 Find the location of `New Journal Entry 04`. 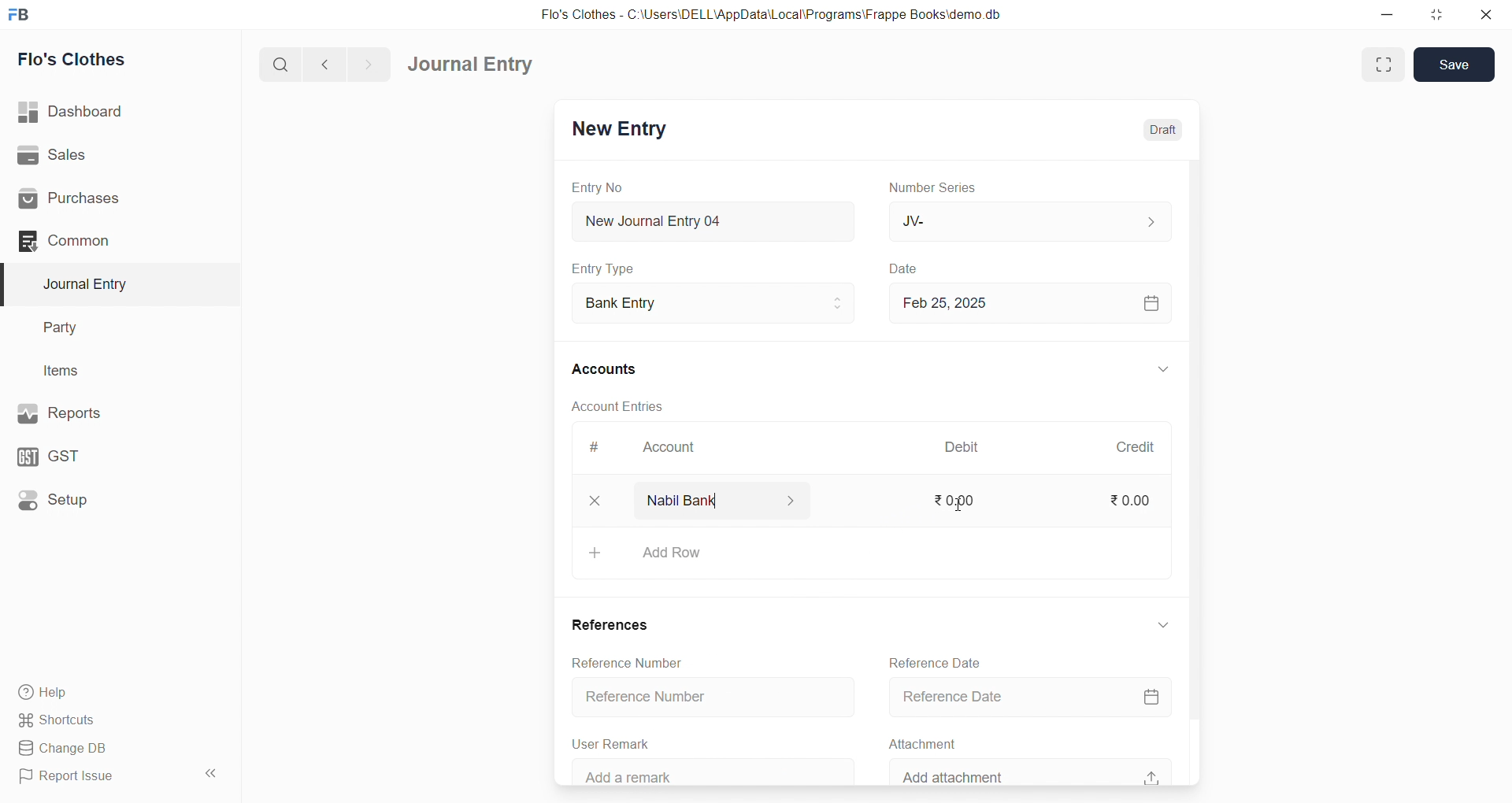

New Journal Entry 04 is located at coordinates (710, 220).